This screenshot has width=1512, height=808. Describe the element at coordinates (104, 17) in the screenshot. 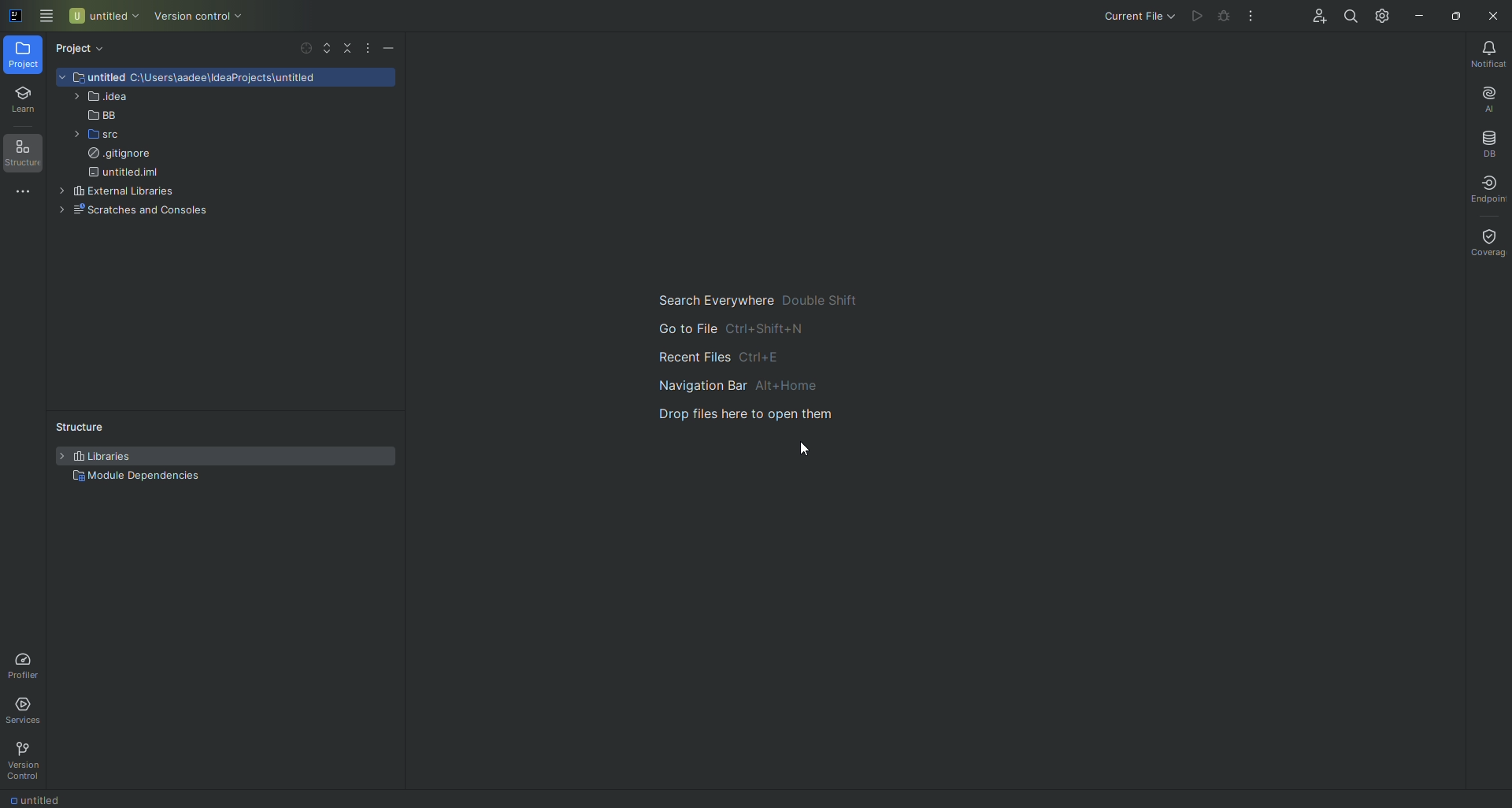

I see `Untitled` at that location.